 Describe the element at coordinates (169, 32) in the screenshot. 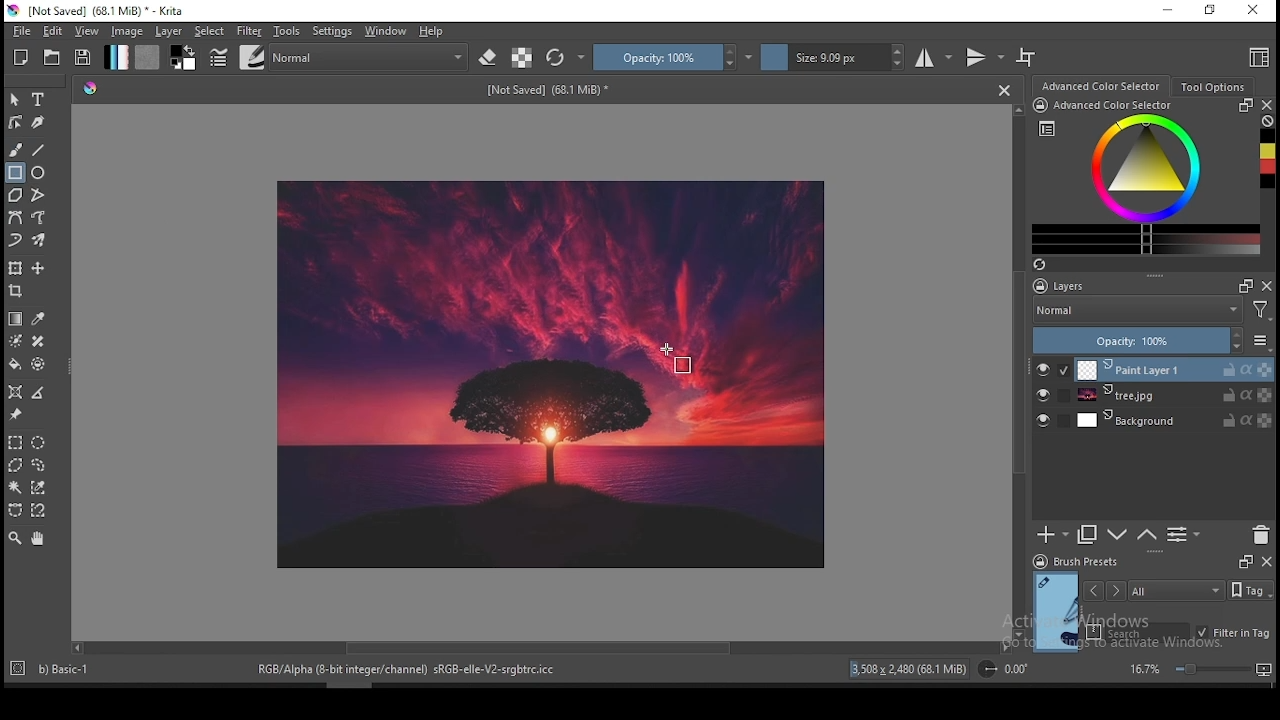

I see `layer` at that location.